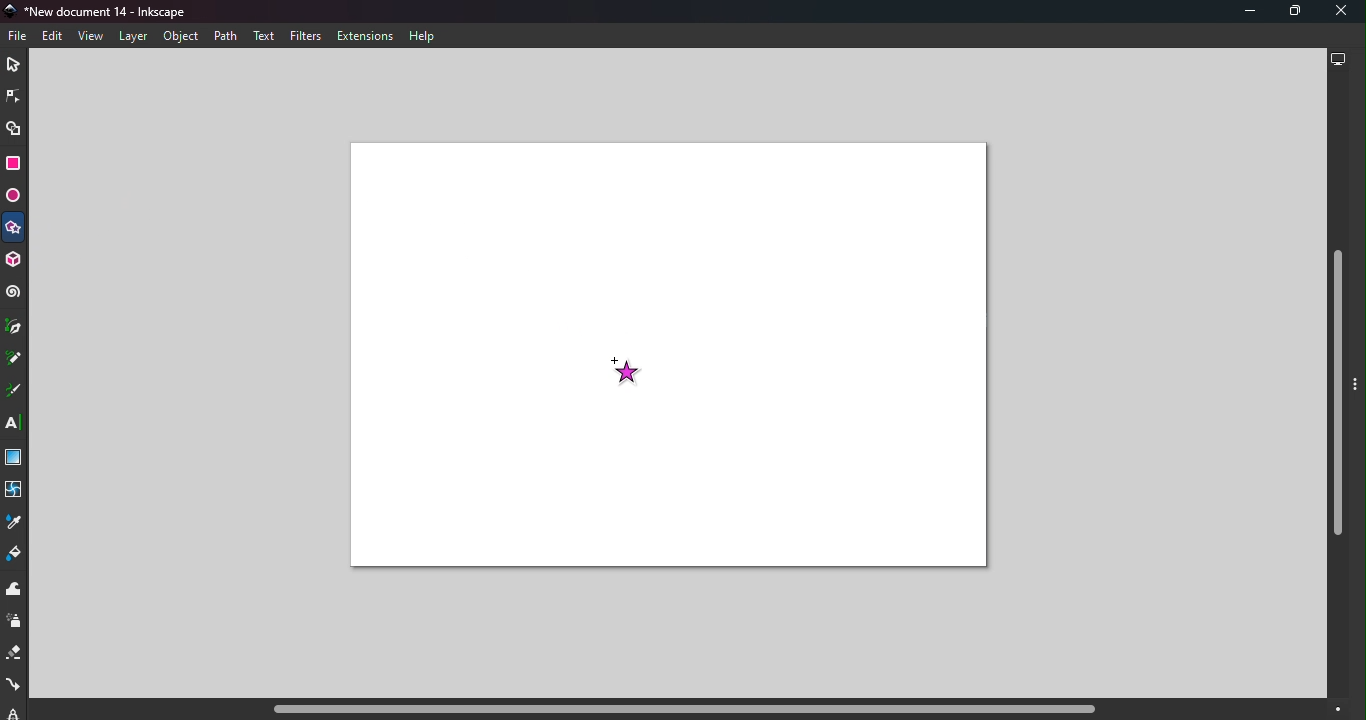 The image size is (1366, 720). I want to click on Eraser tool, so click(13, 657).